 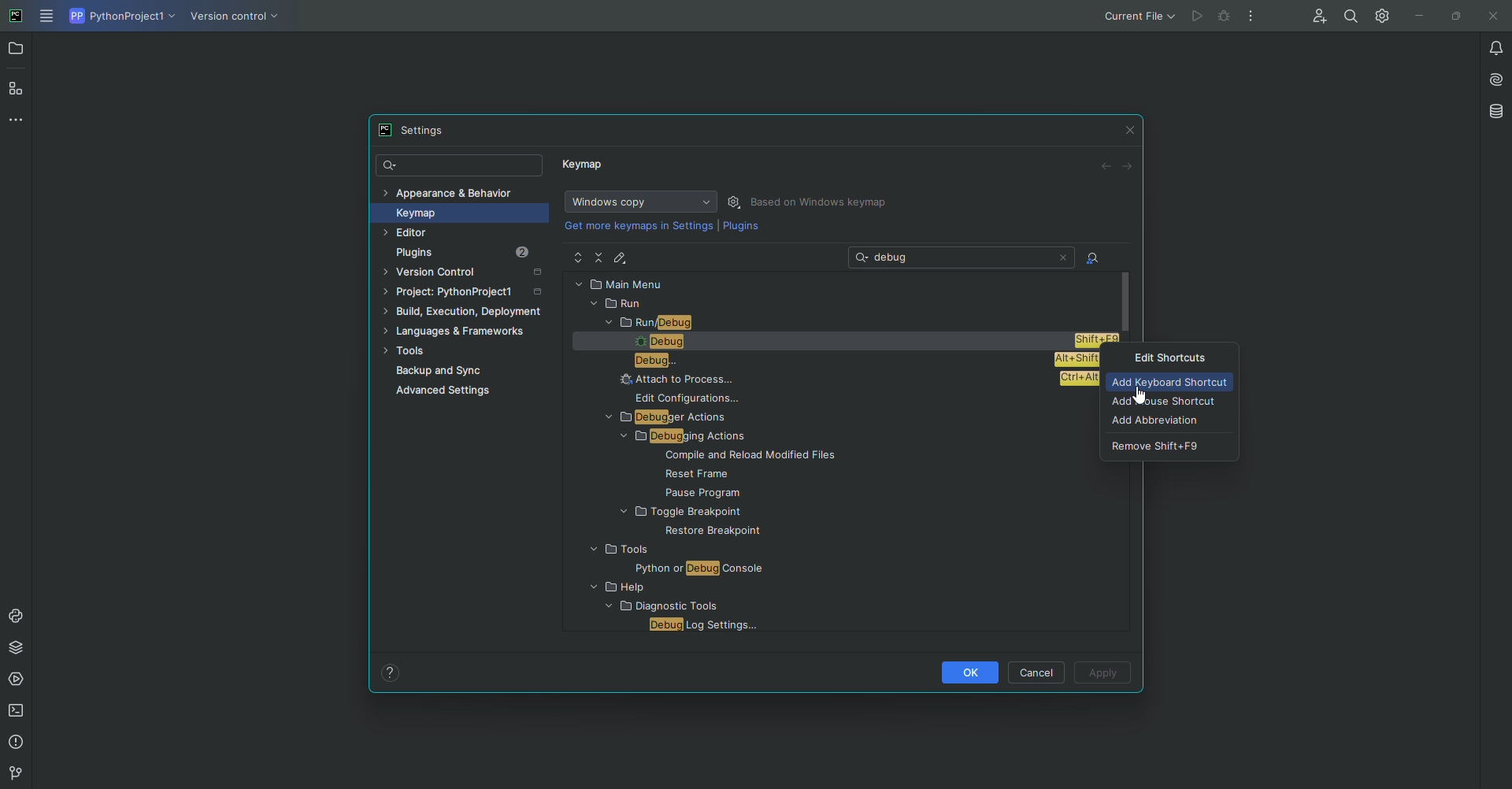 What do you see at coordinates (1169, 357) in the screenshot?
I see `Edit Shortcuts` at bounding box center [1169, 357].